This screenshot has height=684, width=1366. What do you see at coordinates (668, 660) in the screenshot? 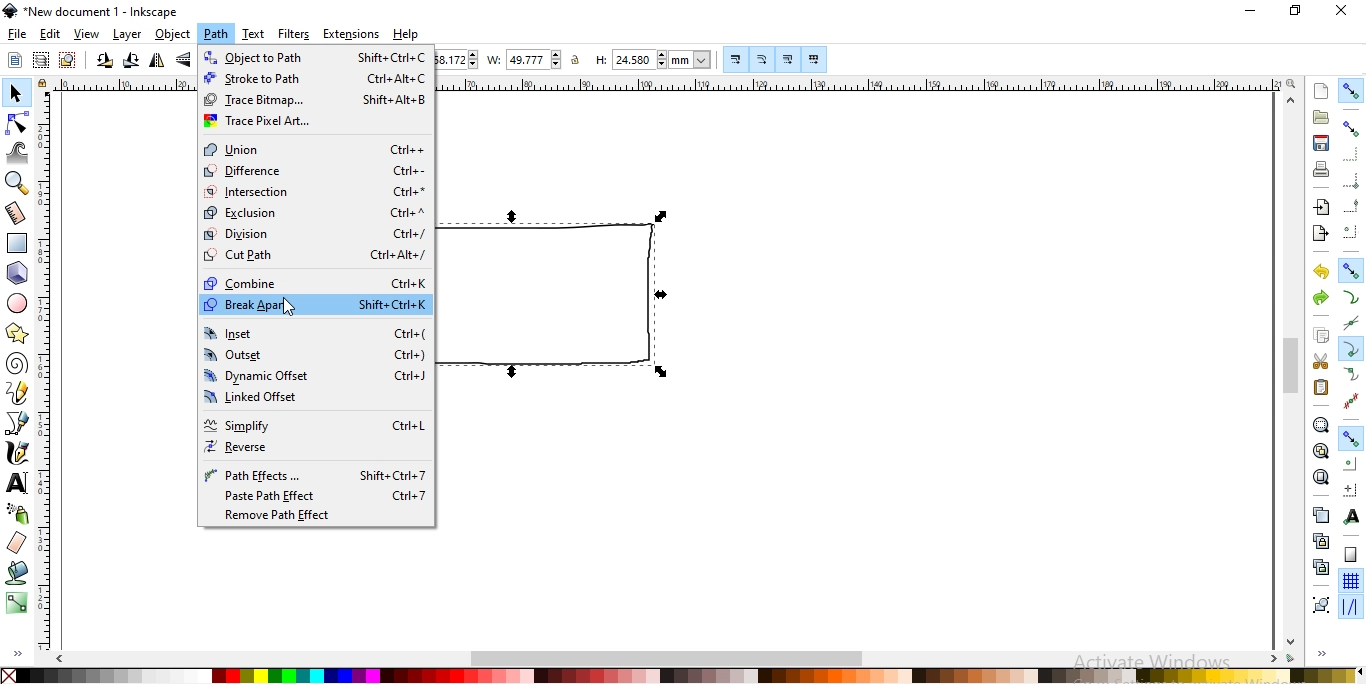
I see `scrollbar` at bounding box center [668, 660].